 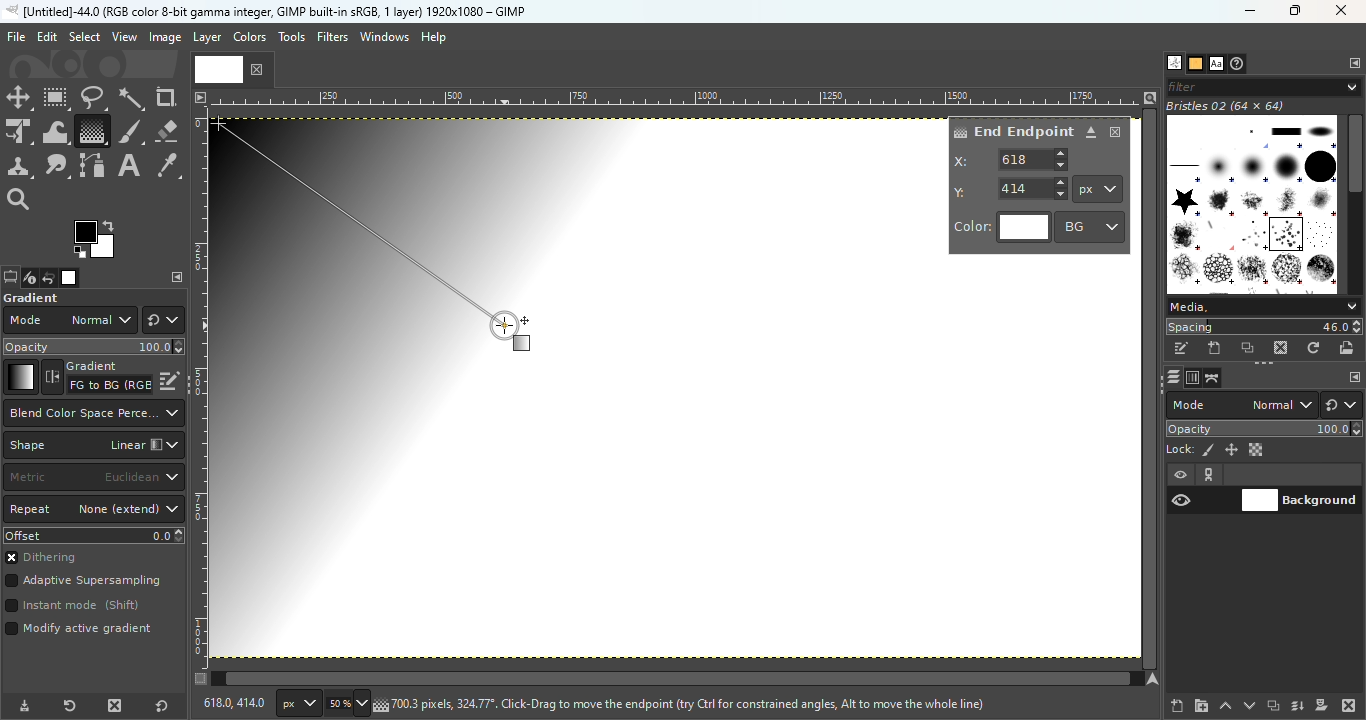 What do you see at coordinates (667, 679) in the screenshot?
I see `Vertical scroll bar` at bounding box center [667, 679].